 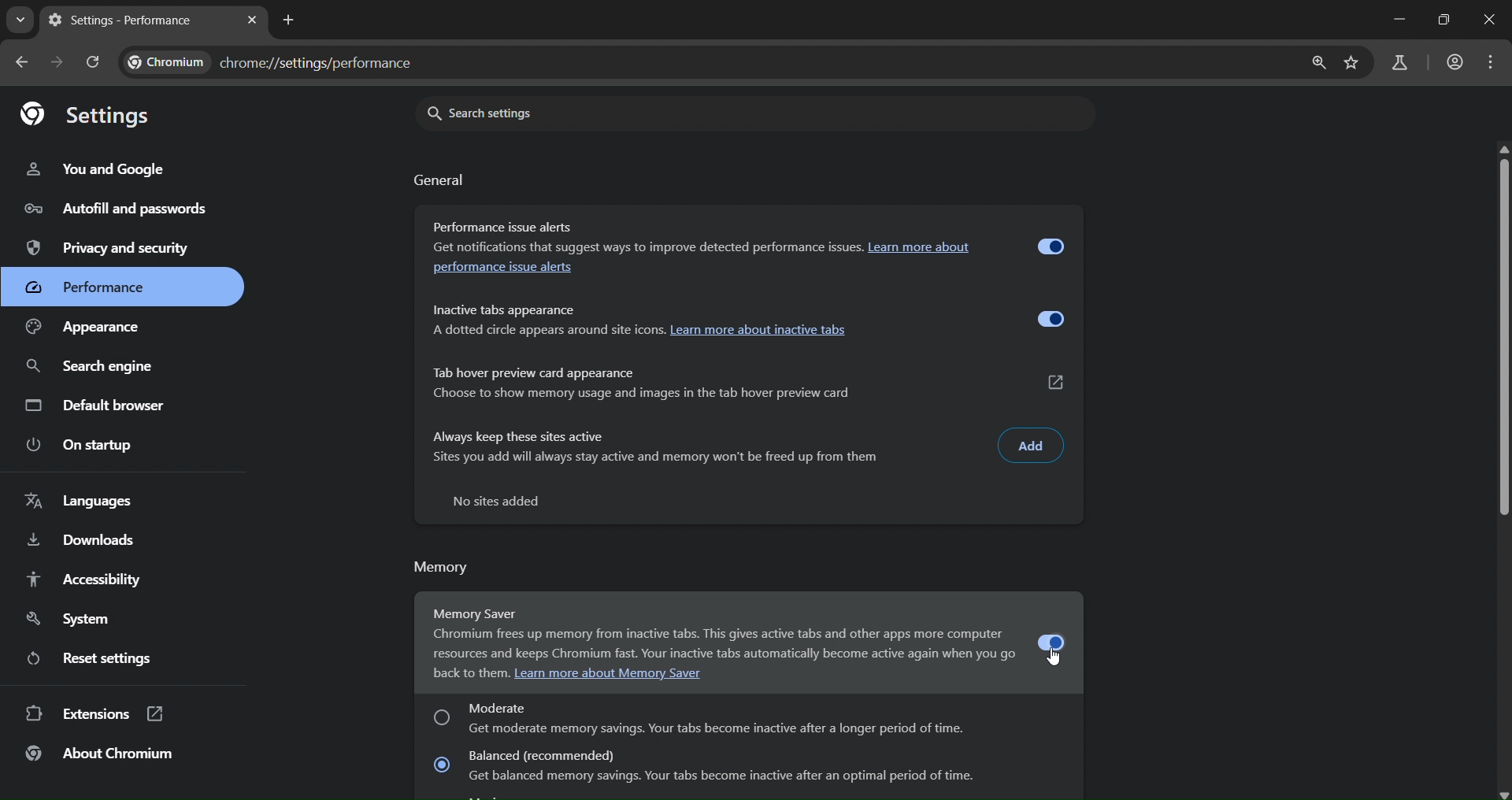 I want to click on checkbox, so click(x=439, y=718).